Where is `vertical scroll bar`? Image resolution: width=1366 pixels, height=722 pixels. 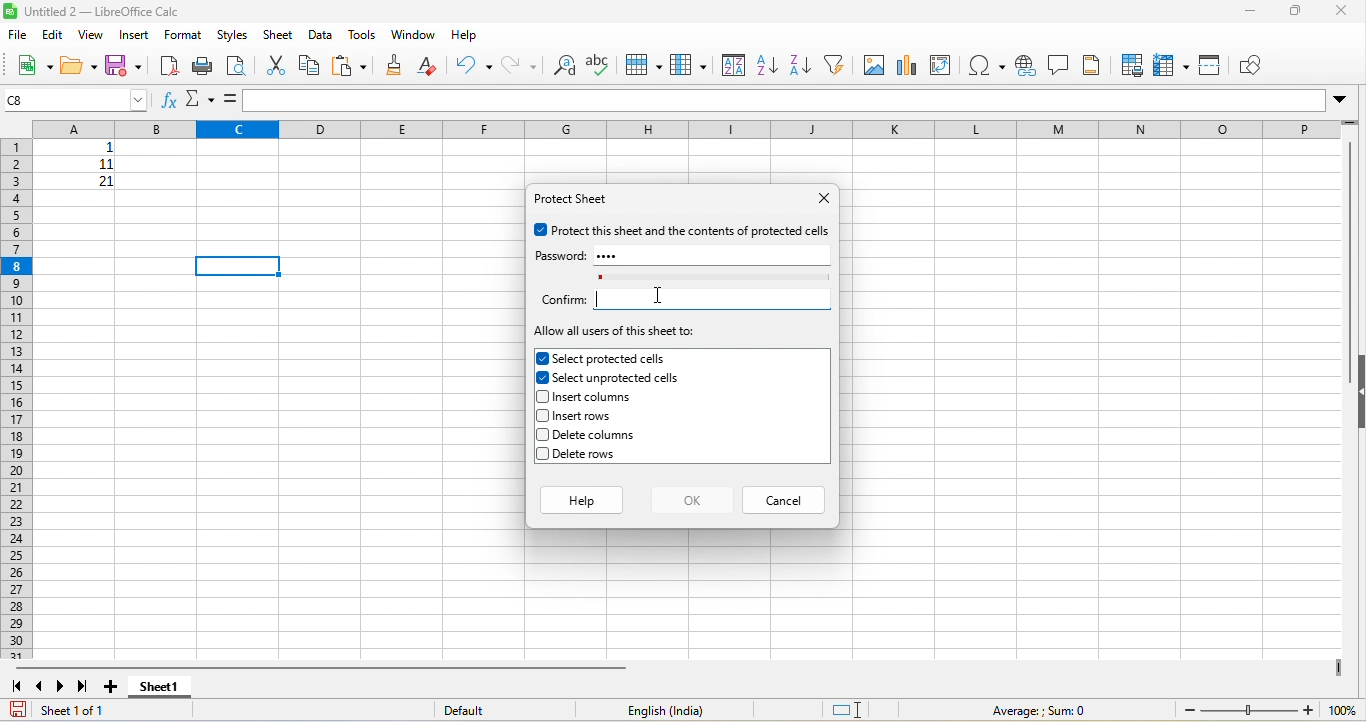 vertical scroll bar is located at coordinates (1352, 247).